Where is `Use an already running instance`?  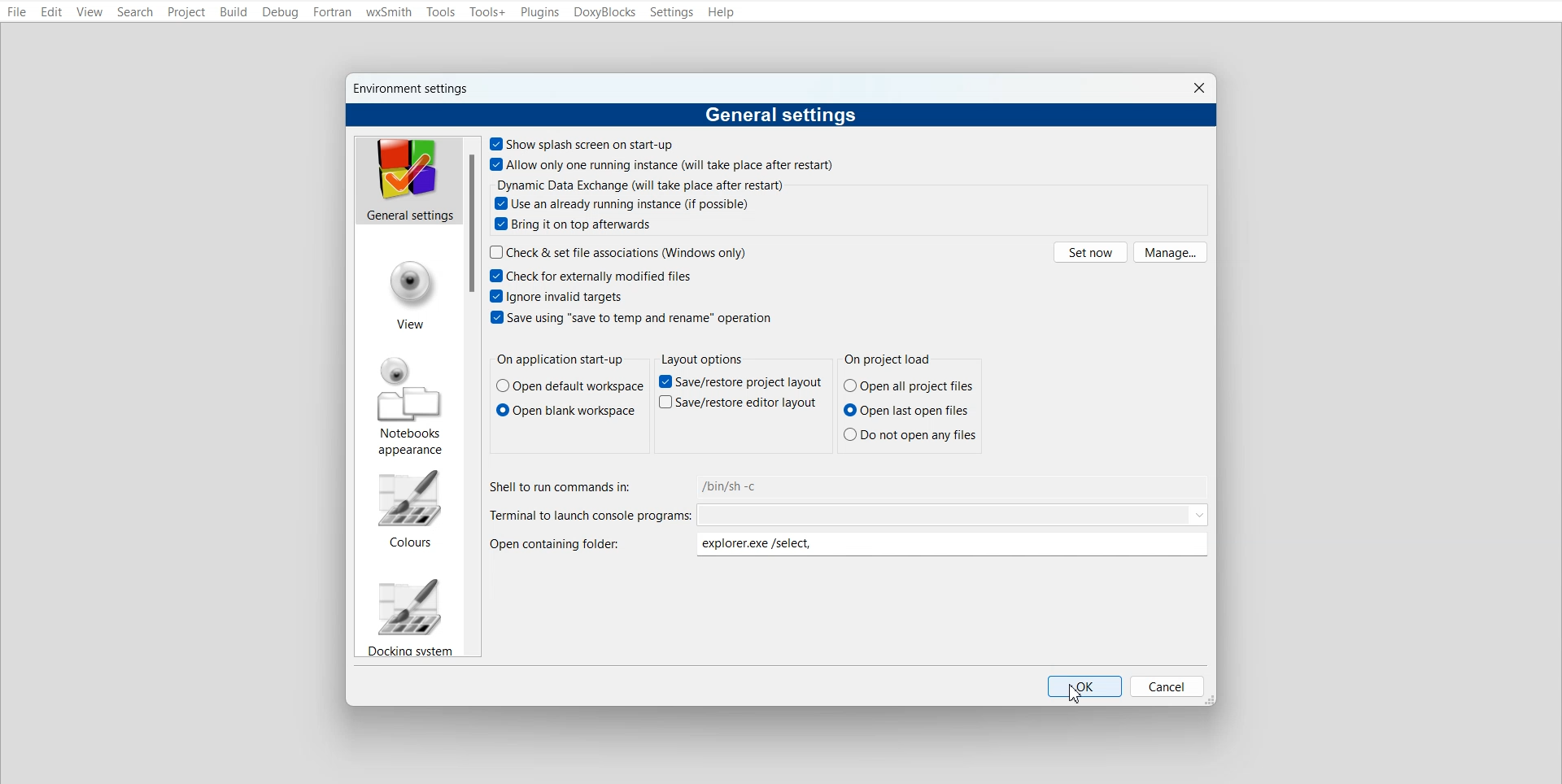 Use an already running instance is located at coordinates (623, 203).